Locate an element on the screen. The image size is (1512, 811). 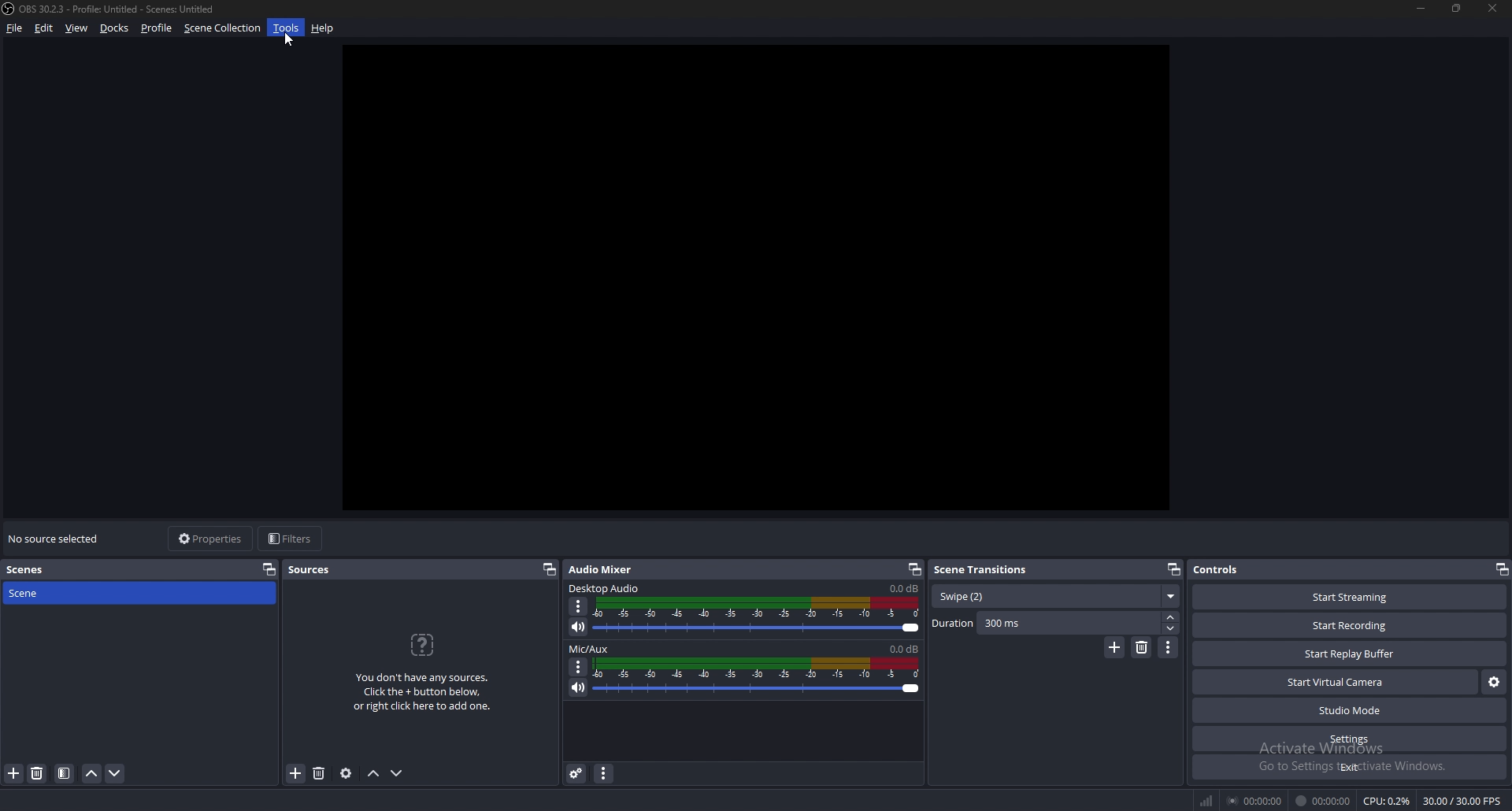
mute is located at coordinates (579, 687).